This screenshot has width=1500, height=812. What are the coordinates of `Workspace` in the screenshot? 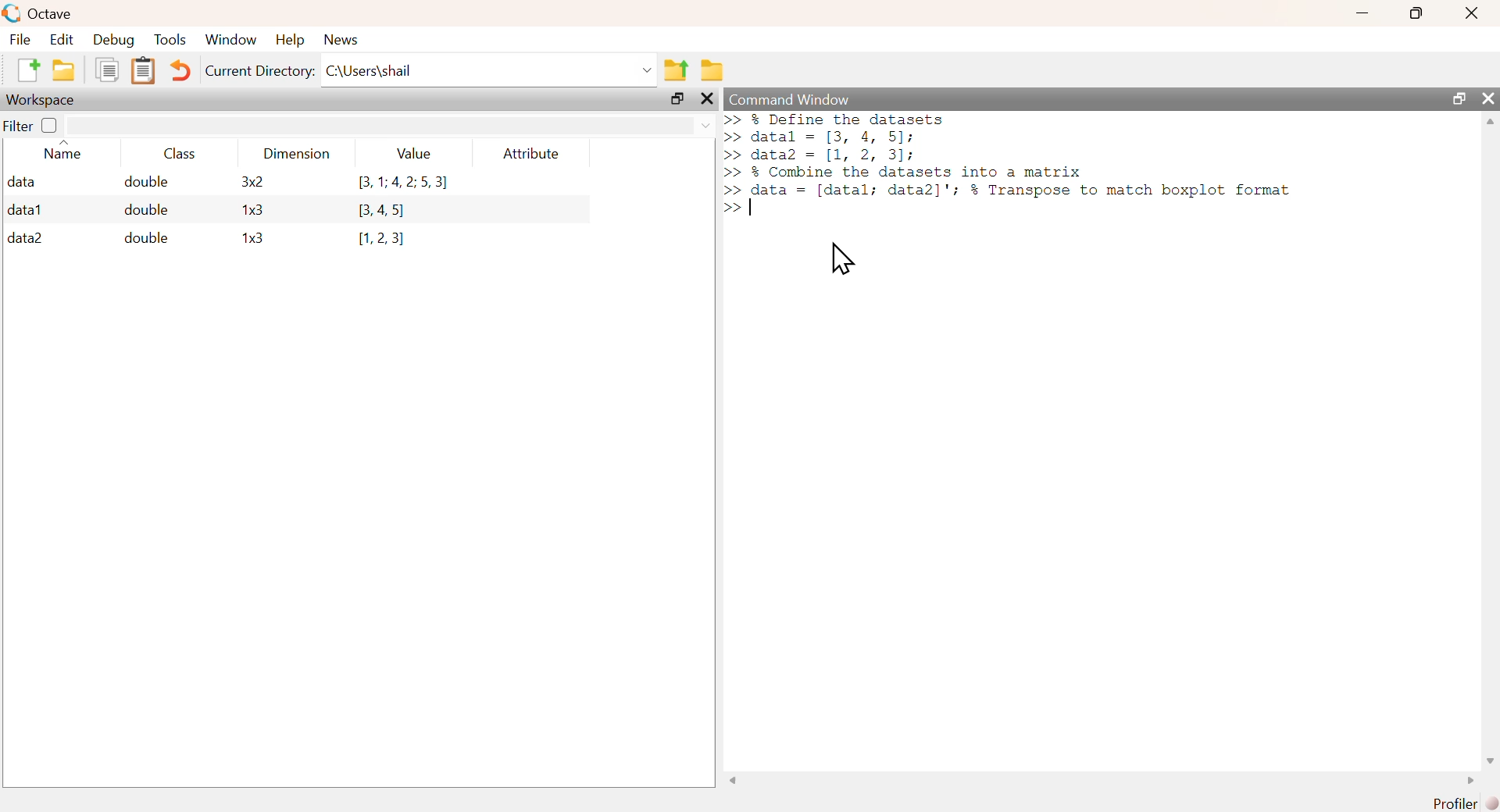 It's located at (43, 100).